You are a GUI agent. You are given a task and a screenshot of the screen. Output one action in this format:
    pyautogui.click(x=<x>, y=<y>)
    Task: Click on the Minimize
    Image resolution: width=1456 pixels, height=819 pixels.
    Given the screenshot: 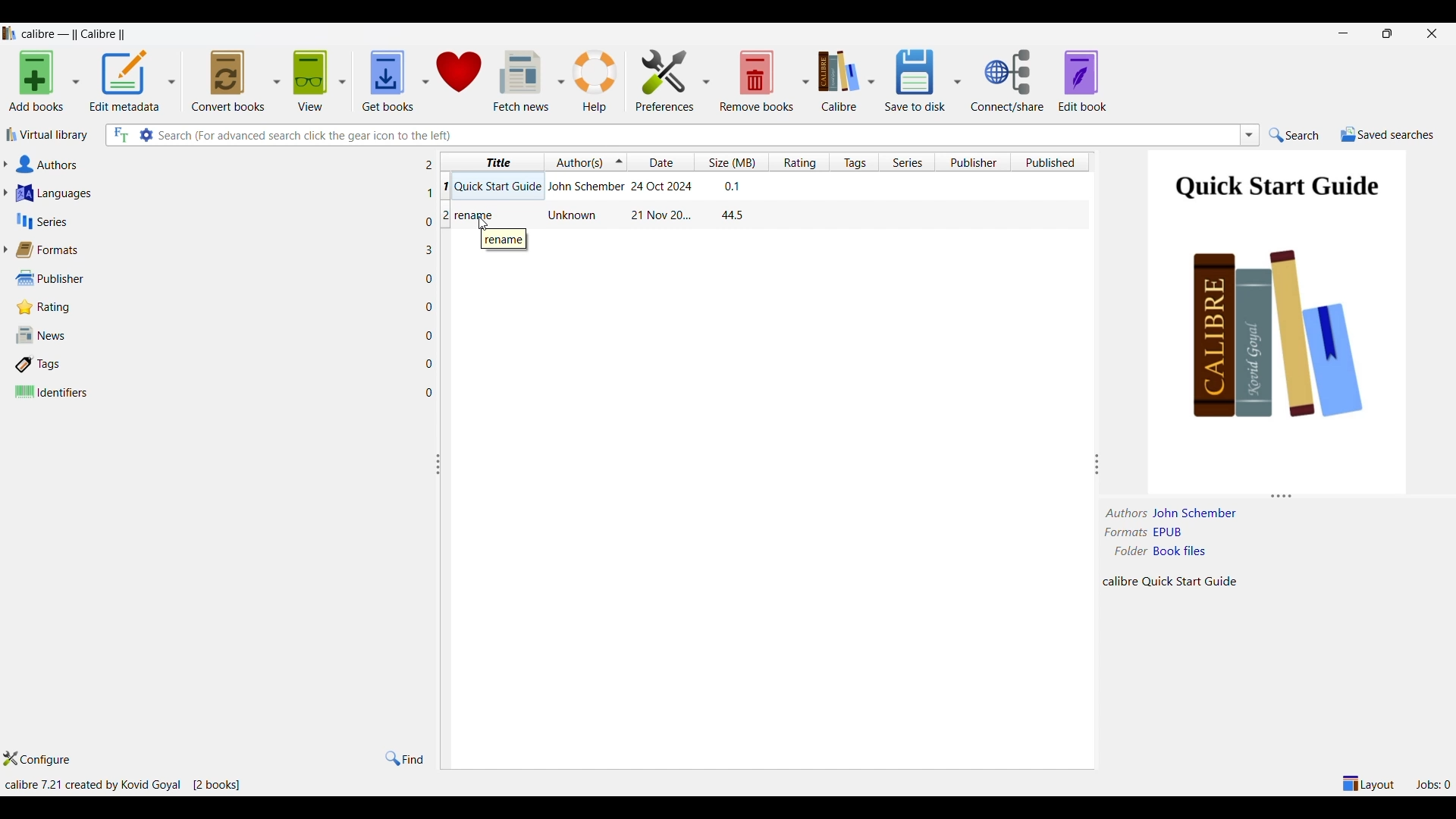 What is the action you would take?
    pyautogui.click(x=1343, y=33)
    